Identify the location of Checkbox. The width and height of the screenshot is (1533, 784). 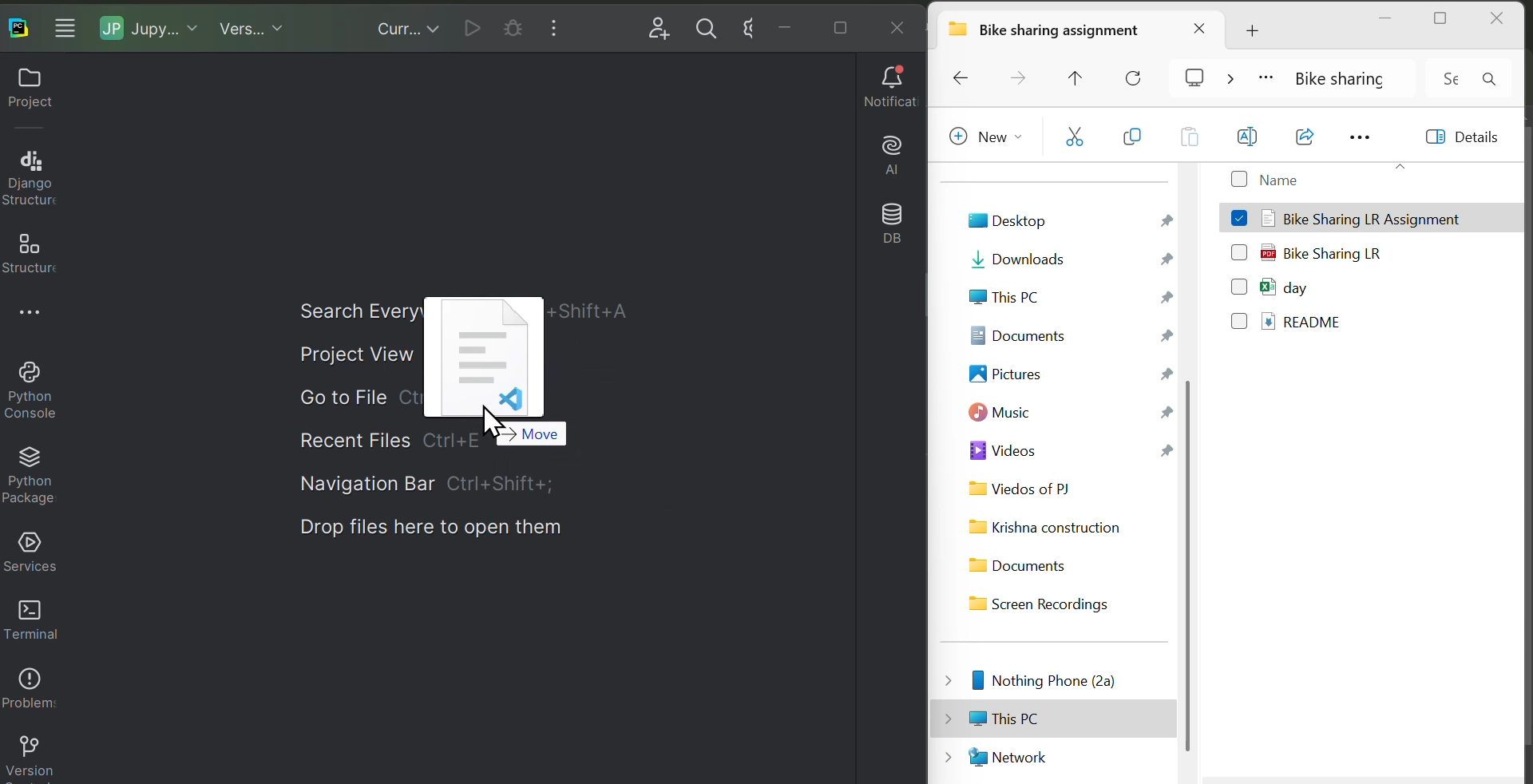
(1239, 285).